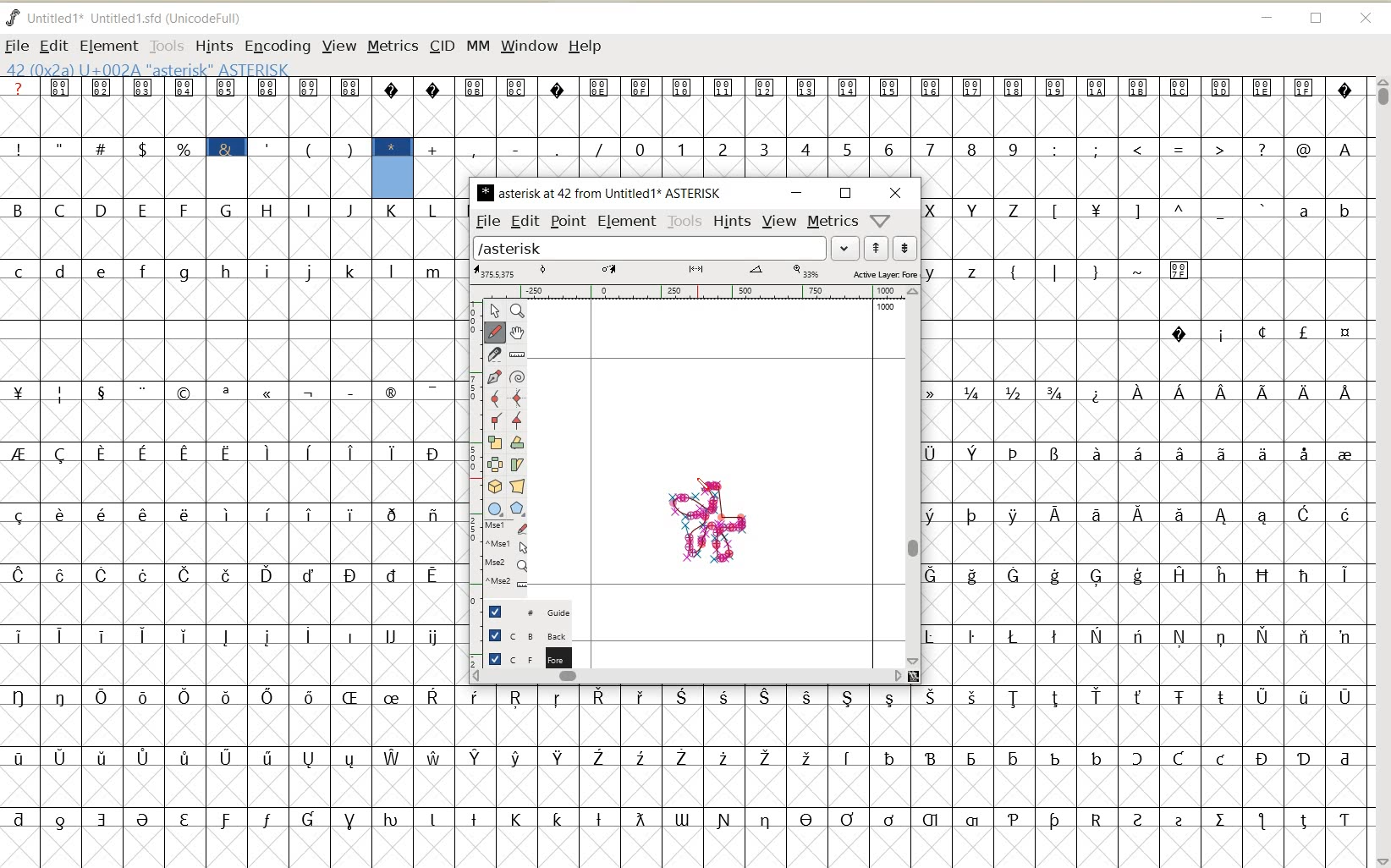 The image size is (1391, 868). I want to click on CLOSE, so click(896, 192).